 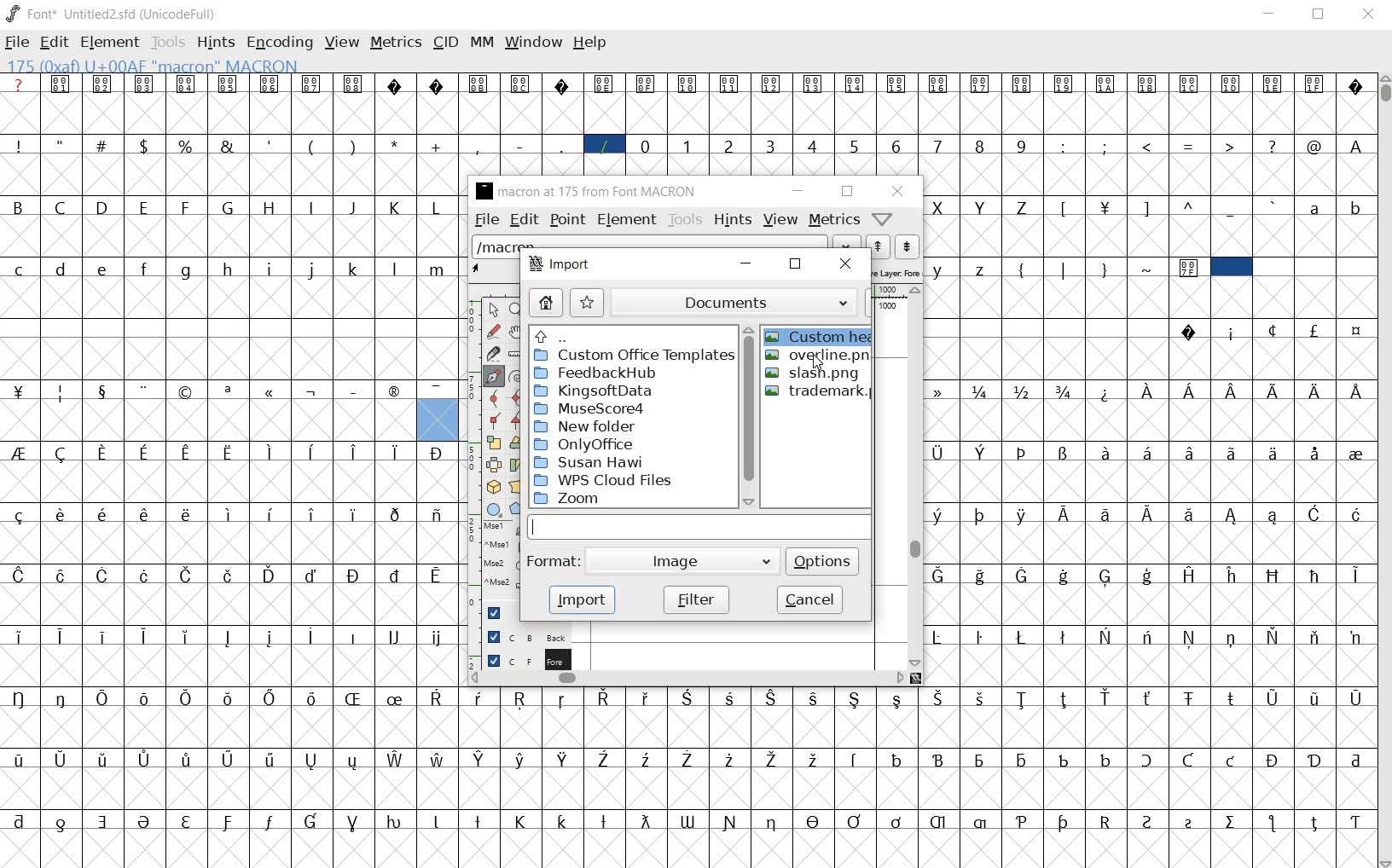 I want to click on Symbol, so click(x=687, y=819).